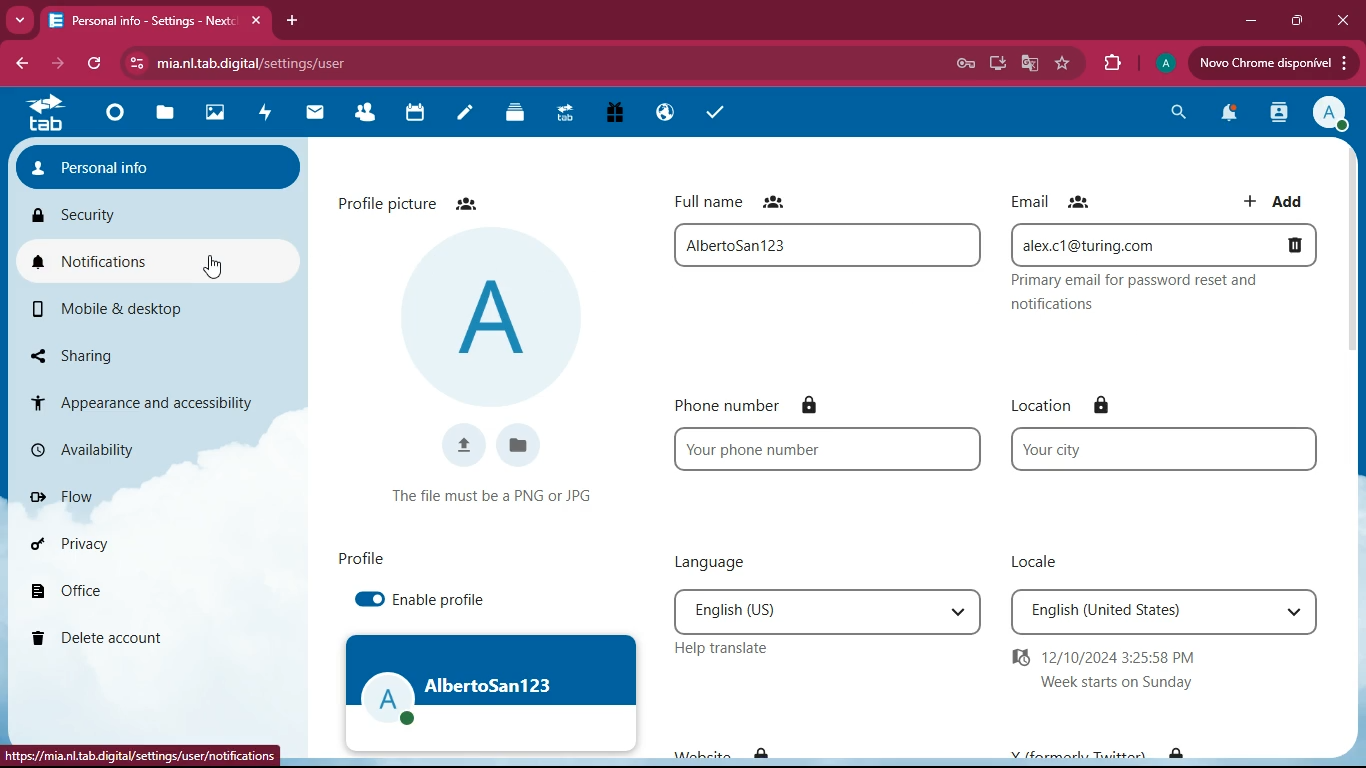 The image size is (1366, 768). What do you see at coordinates (55, 64) in the screenshot?
I see `forward` at bounding box center [55, 64].